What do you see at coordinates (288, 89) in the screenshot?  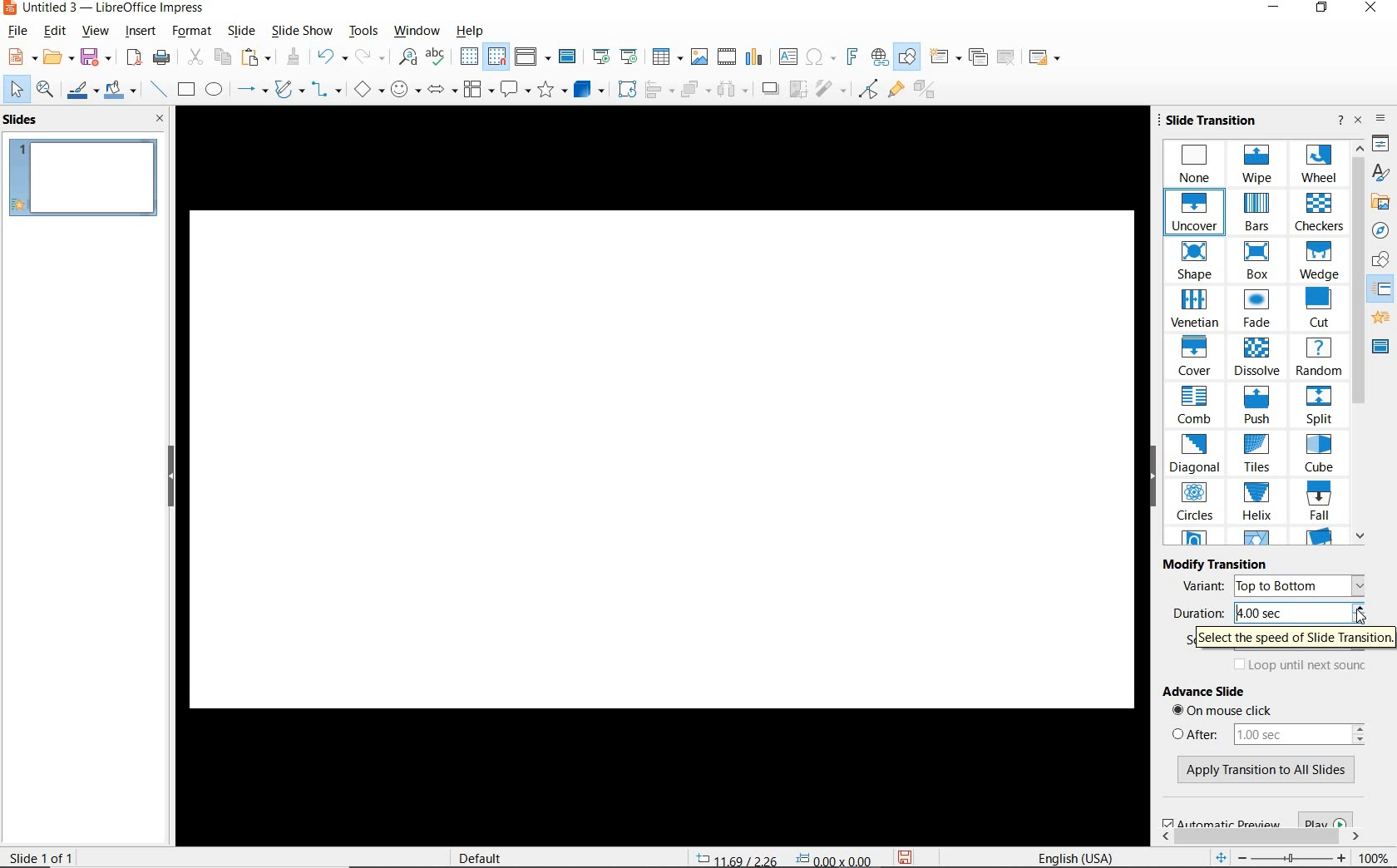 I see `CURVES & POLYGONS` at bounding box center [288, 89].